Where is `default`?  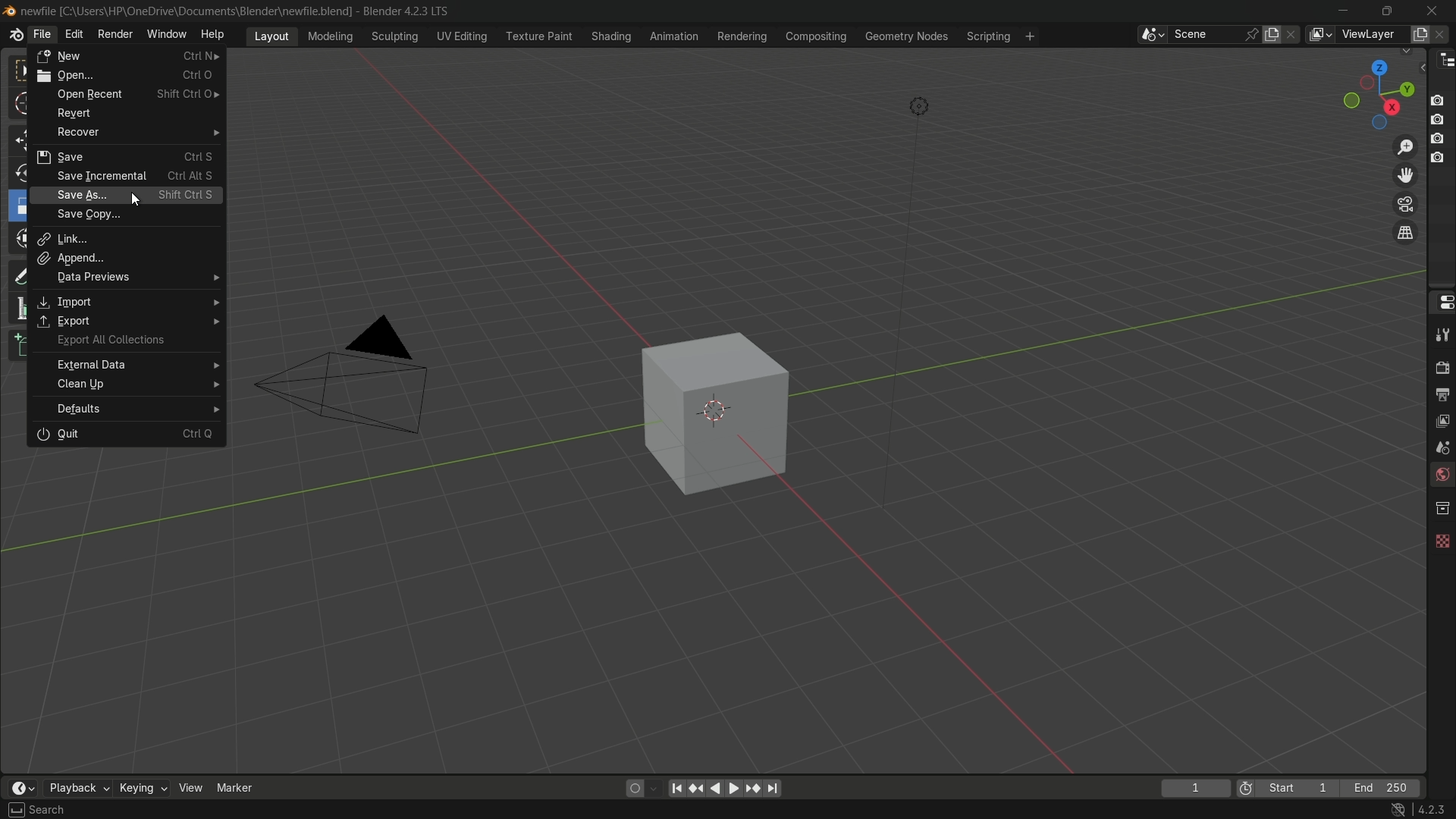
default is located at coordinates (124, 409).